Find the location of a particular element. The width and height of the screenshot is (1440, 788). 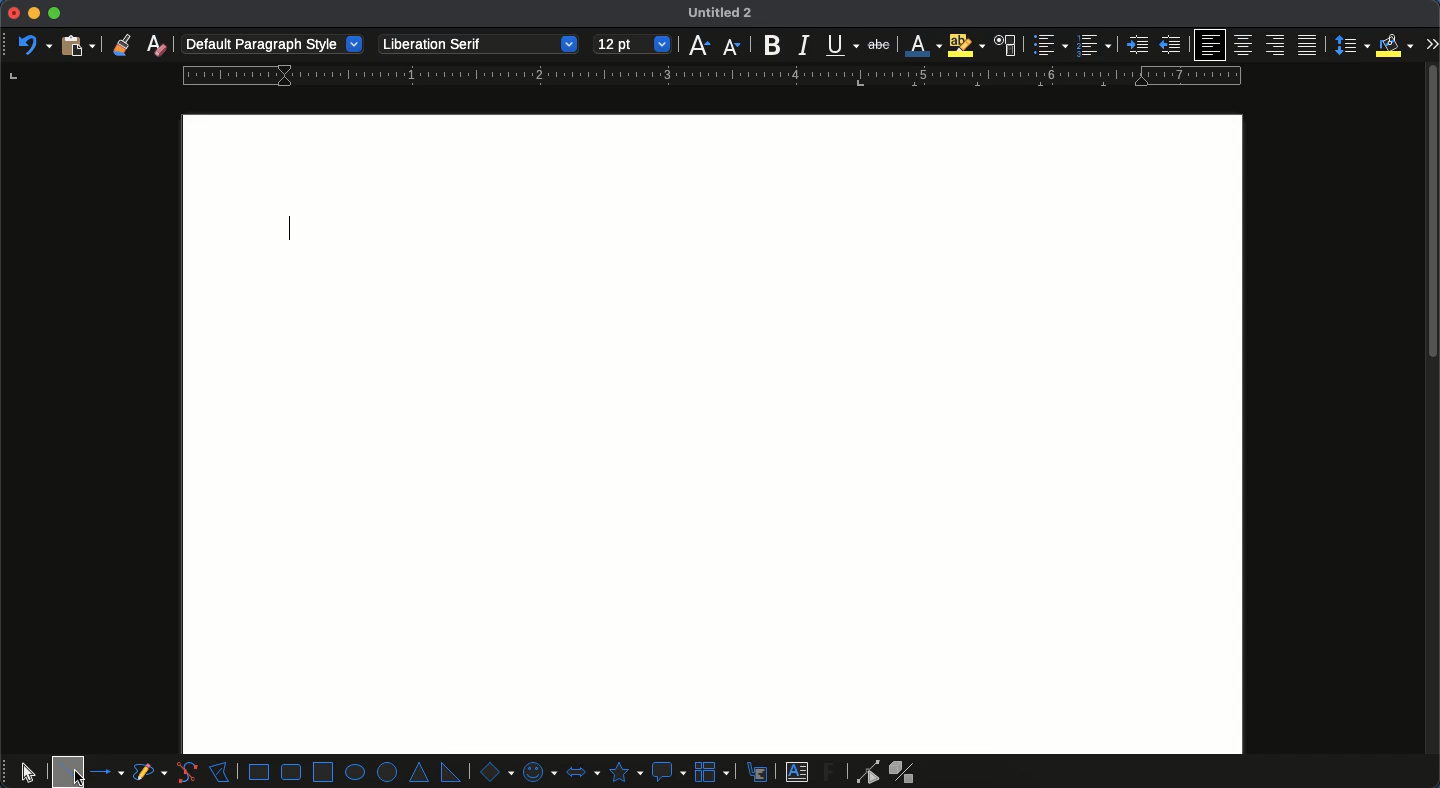

unident is located at coordinates (1168, 46).